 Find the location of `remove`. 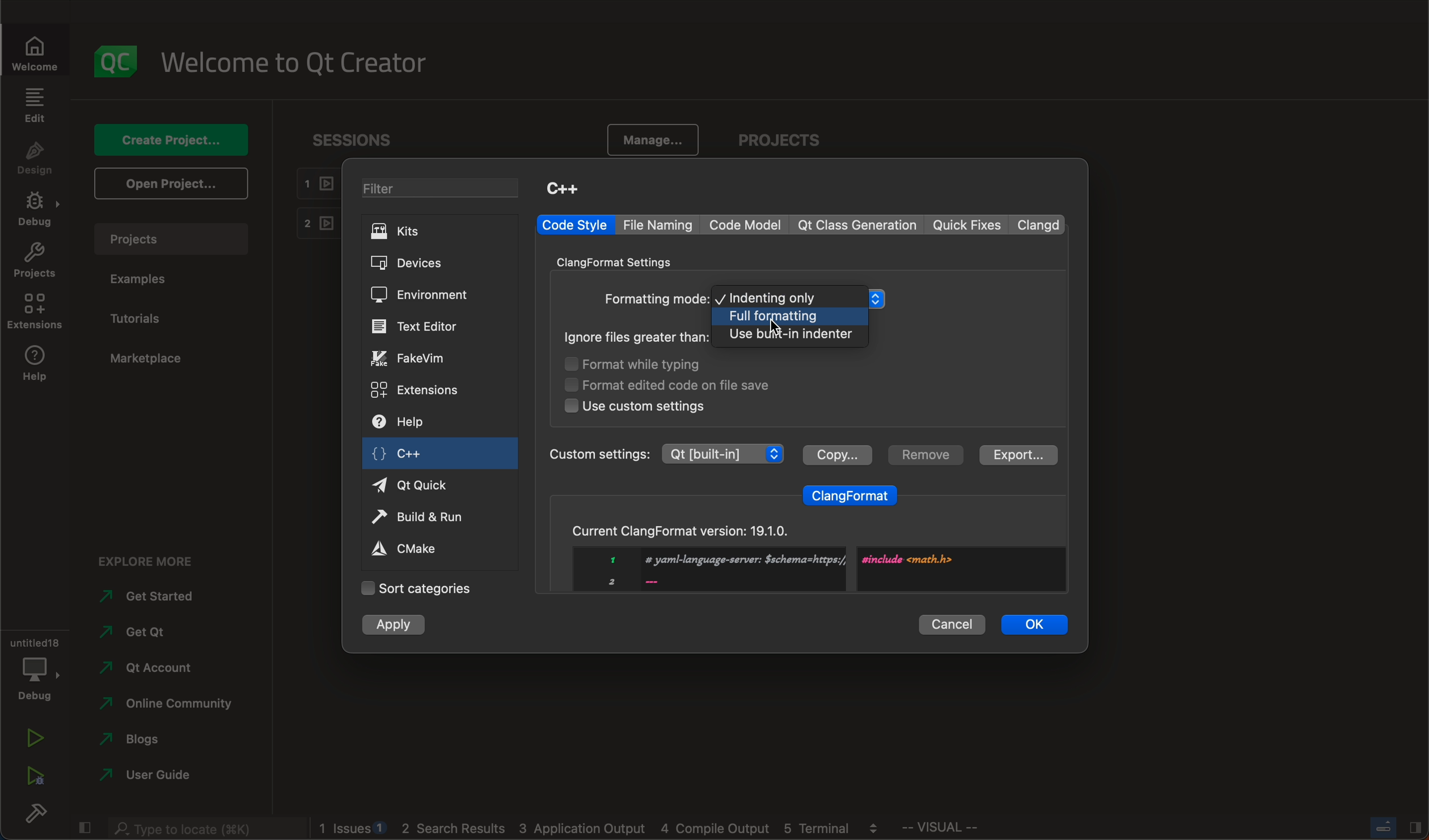

remove is located at coordinates (923, 455).